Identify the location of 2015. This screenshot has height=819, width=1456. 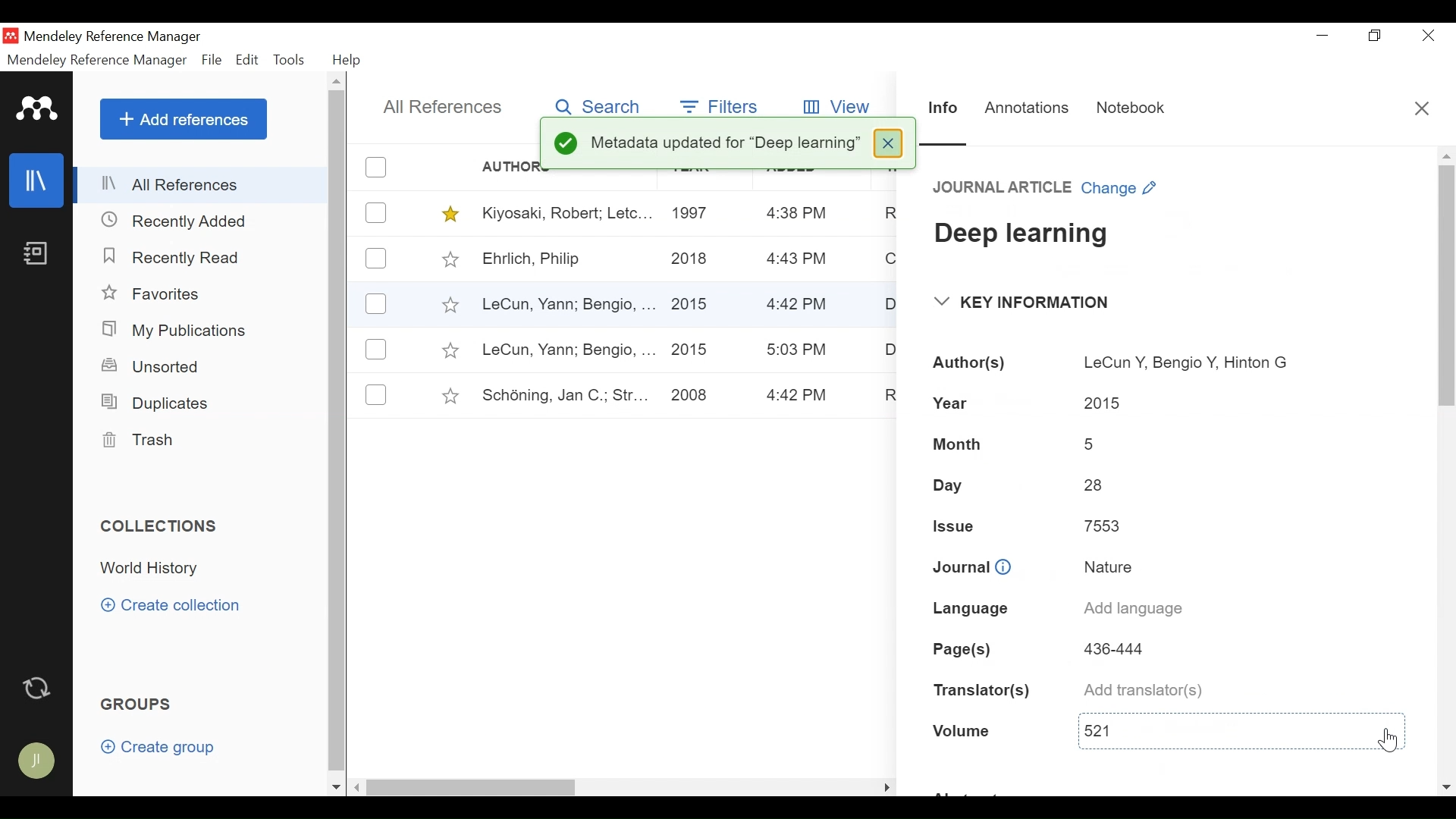
(691, 350).